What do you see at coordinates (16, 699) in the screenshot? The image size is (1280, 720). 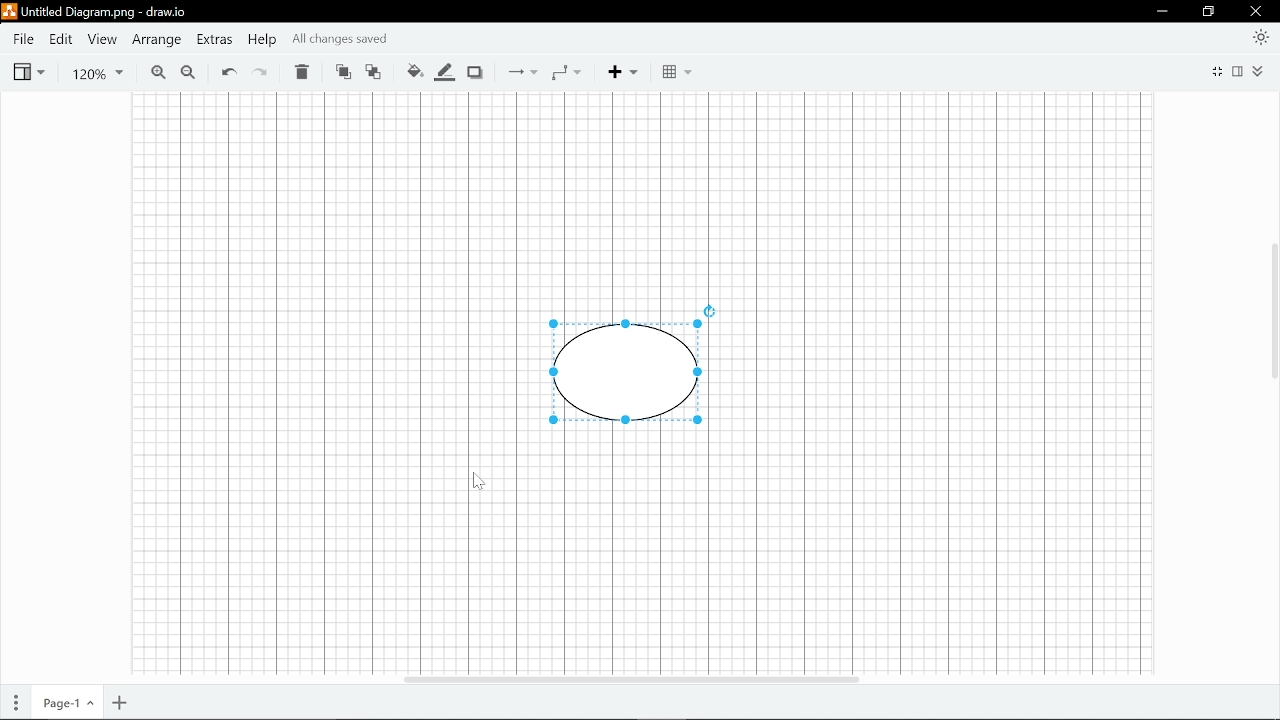 I see `Pages` at bounding box center [16, 699].